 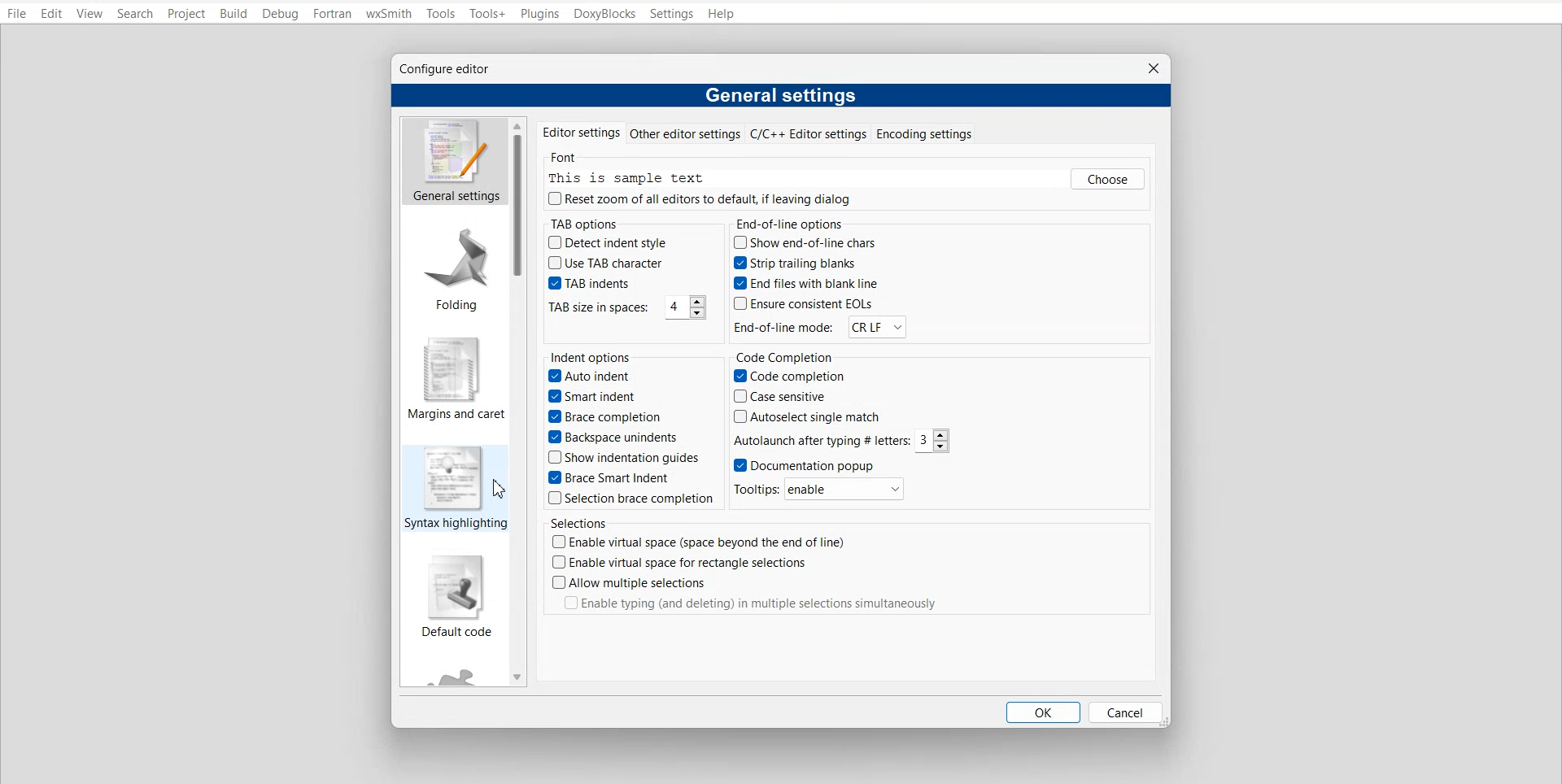 What do you see at coordinates (188, 13) in the screenshot?
I see `Project` at bounding box center [188, 13].